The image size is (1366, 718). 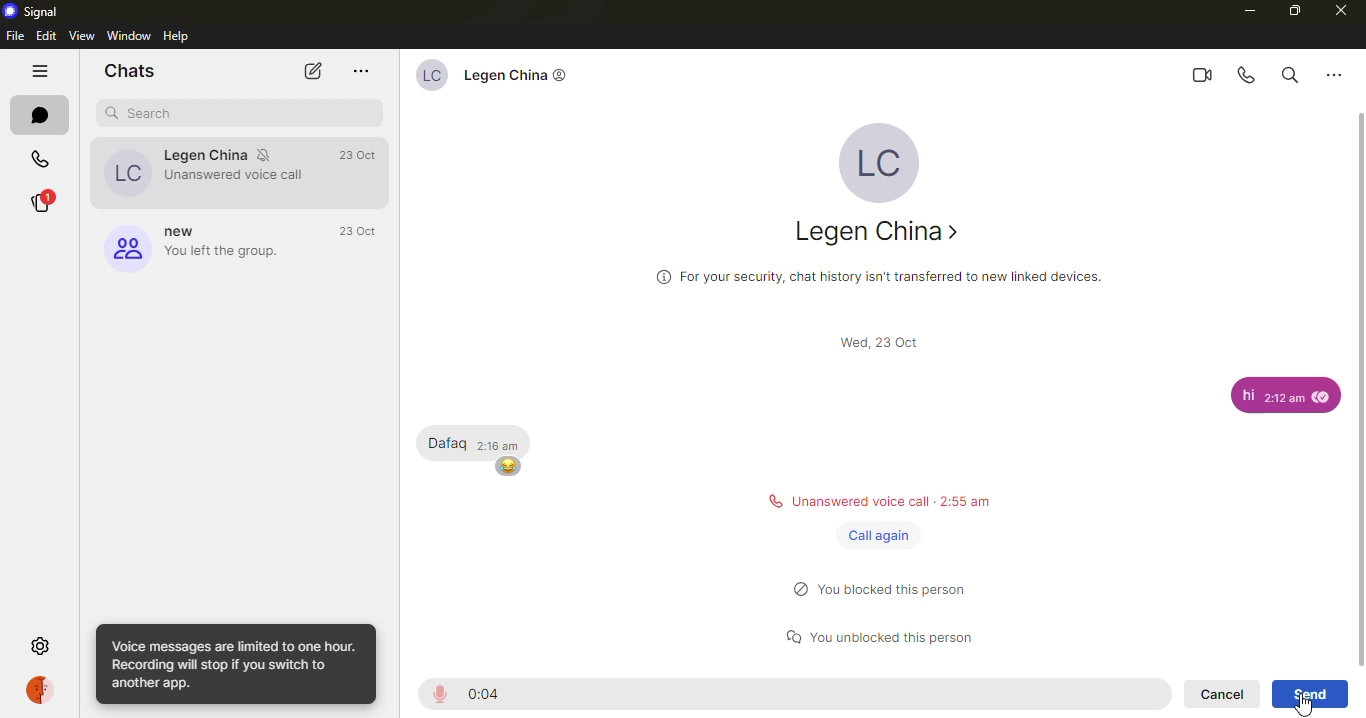 What do you see at coordinates (1346, 13) in the screenshot?
I see `close` at bounding box center [1346, 13].